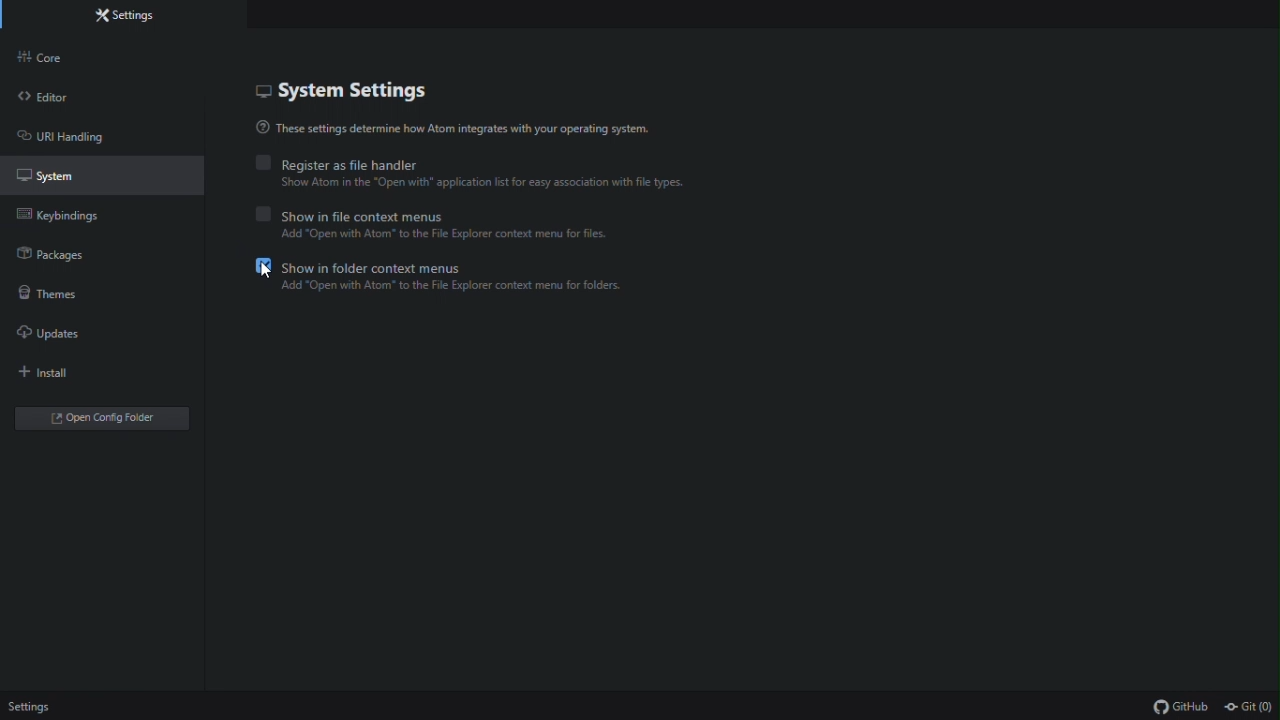 Image resolution: width=1280 pixels, height=720 pixels. I want to click on ‘Add "Open with Atom” to the File Explorer context menu for folders., so click(455, 288).